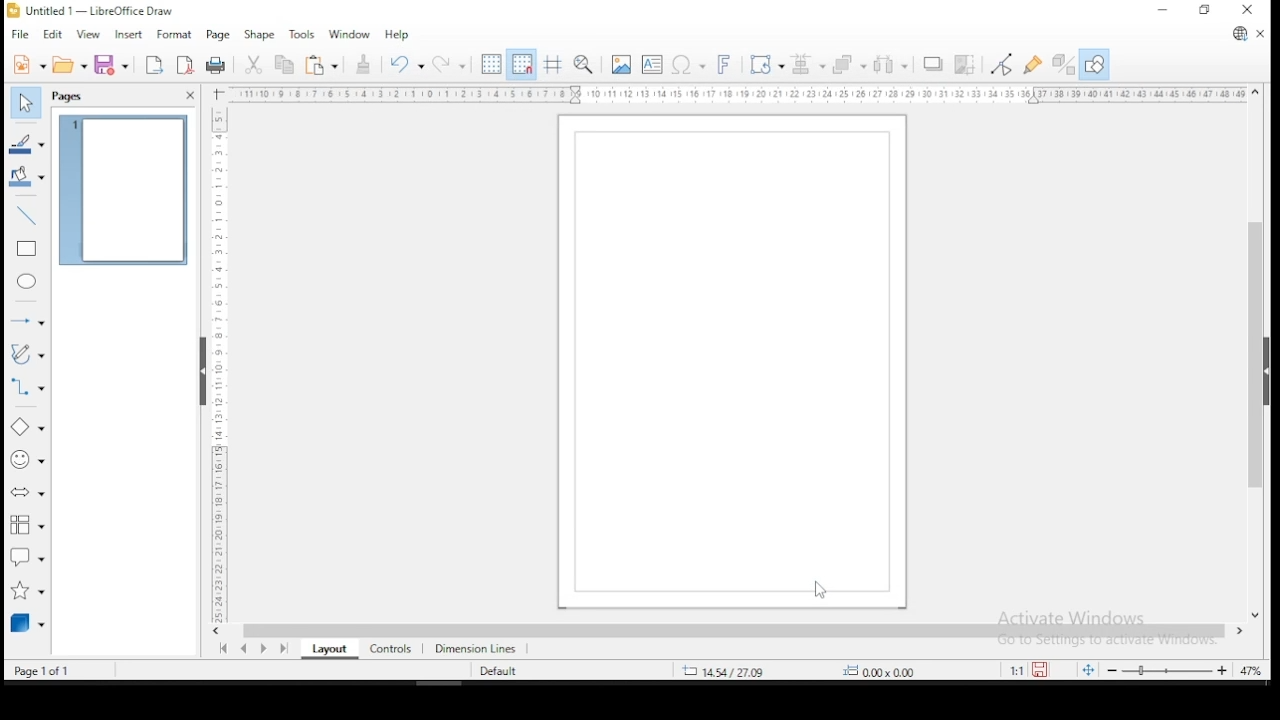 The height and width of the screenshot is (720, 1280). I want to click on clone formatting, so click(363, 65).